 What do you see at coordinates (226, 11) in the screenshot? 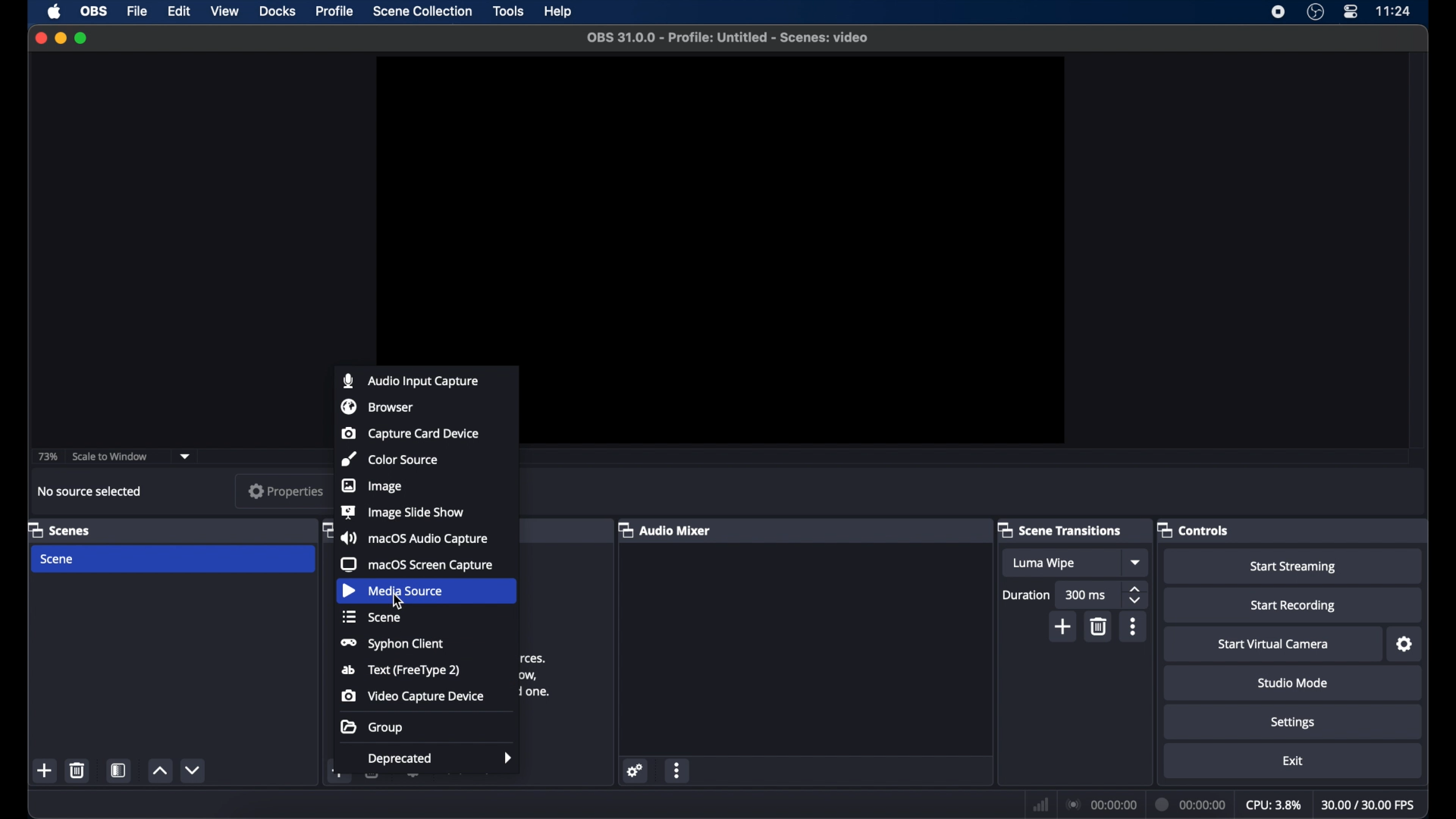
I see `view` at bounding box center [226, 11].